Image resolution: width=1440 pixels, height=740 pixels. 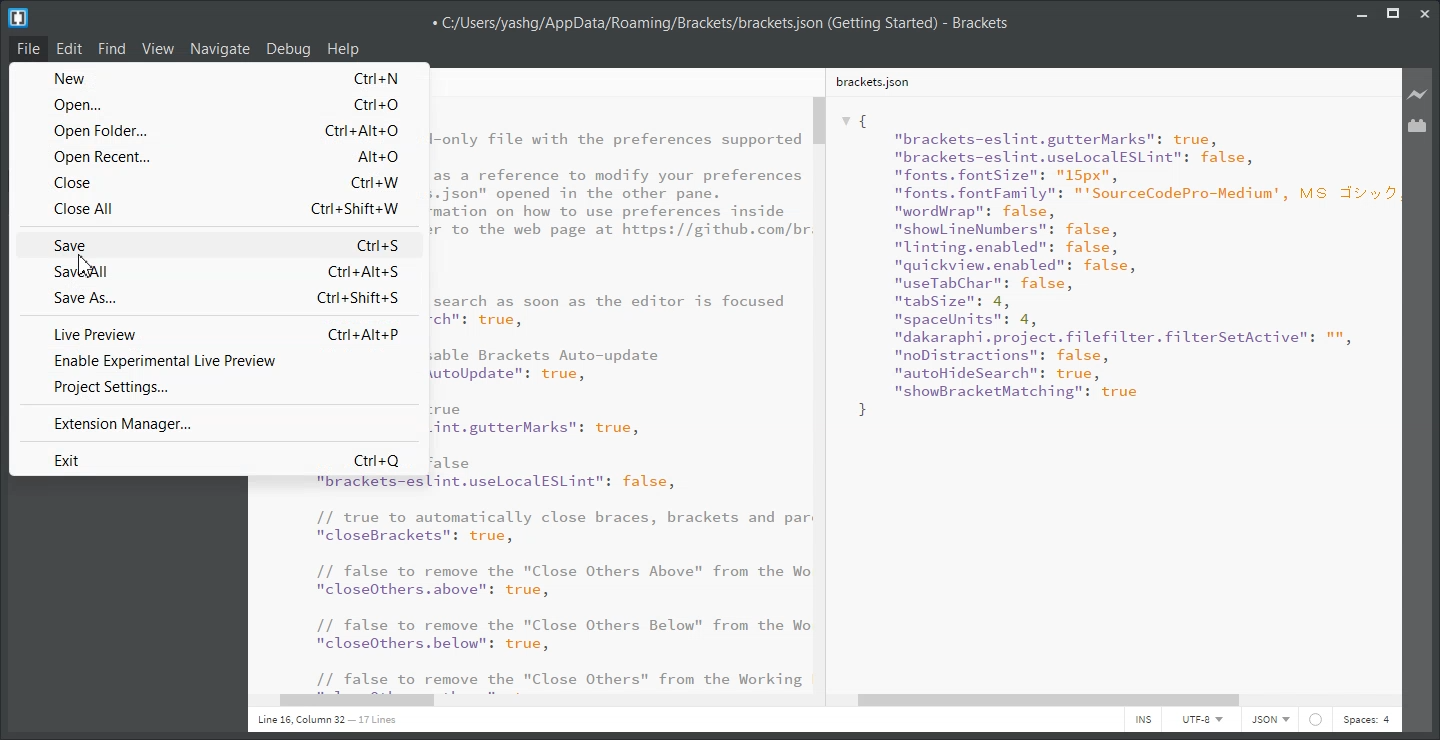 What do you see at coordinates (158, 49) in the screenshot?
I see `View` at bounding box center [158, 49].